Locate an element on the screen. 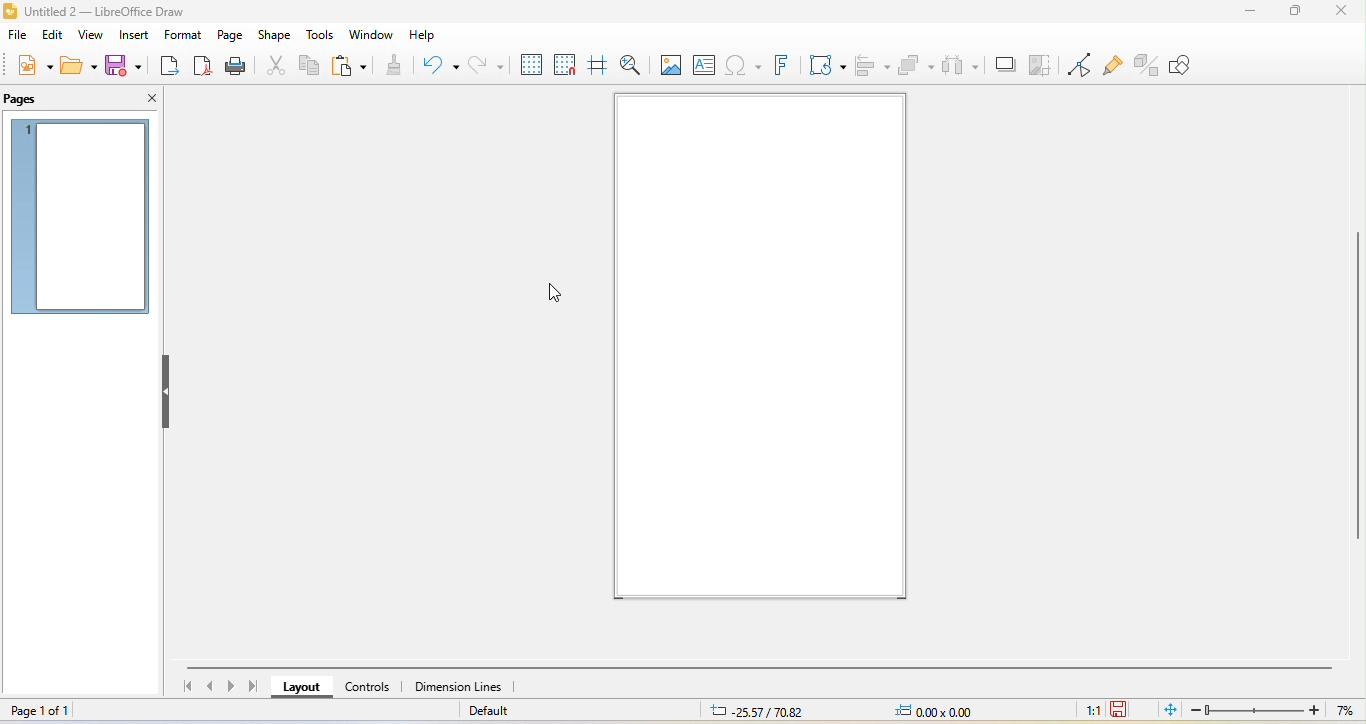 The height and width of the screenshot is (724, 1366). help is located at coordinates (420, 36).